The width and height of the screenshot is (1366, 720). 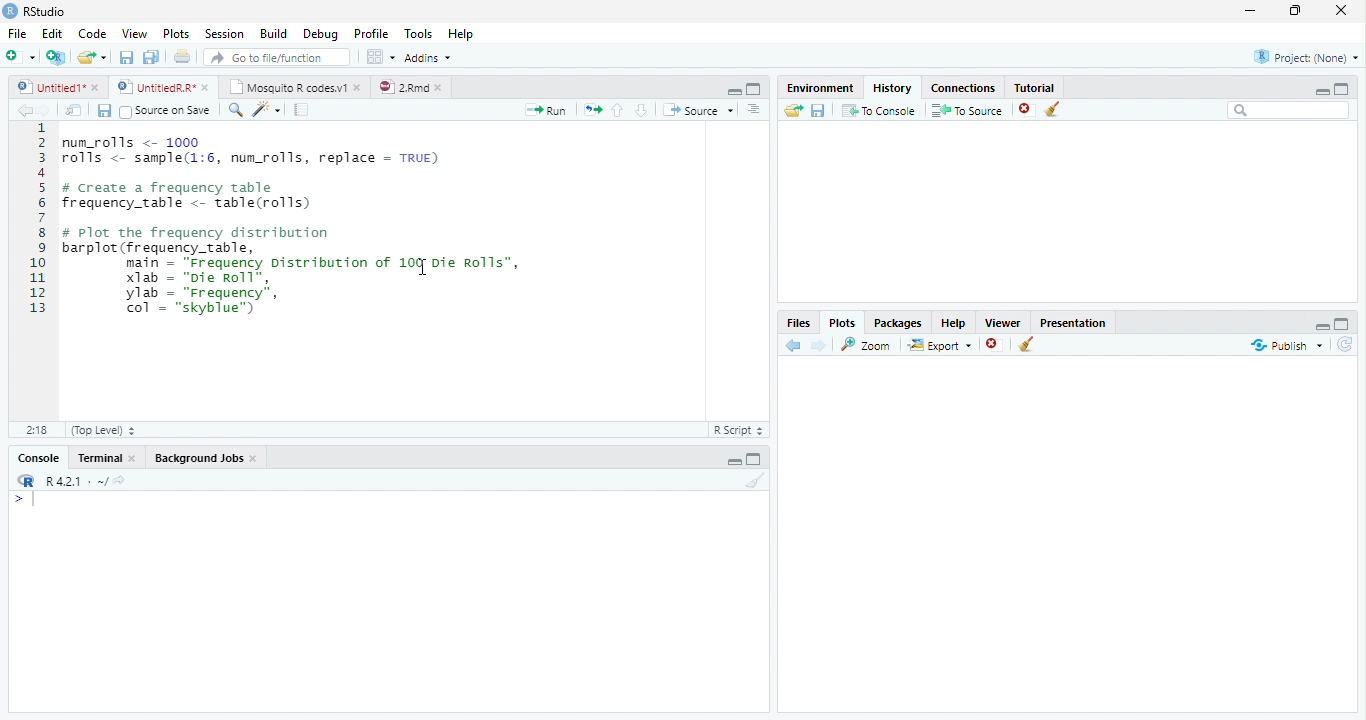 What do you see at coordinates (1321, 91) in the screenshot?
I see `Minimize Height` at bounding box center [1321, 91].